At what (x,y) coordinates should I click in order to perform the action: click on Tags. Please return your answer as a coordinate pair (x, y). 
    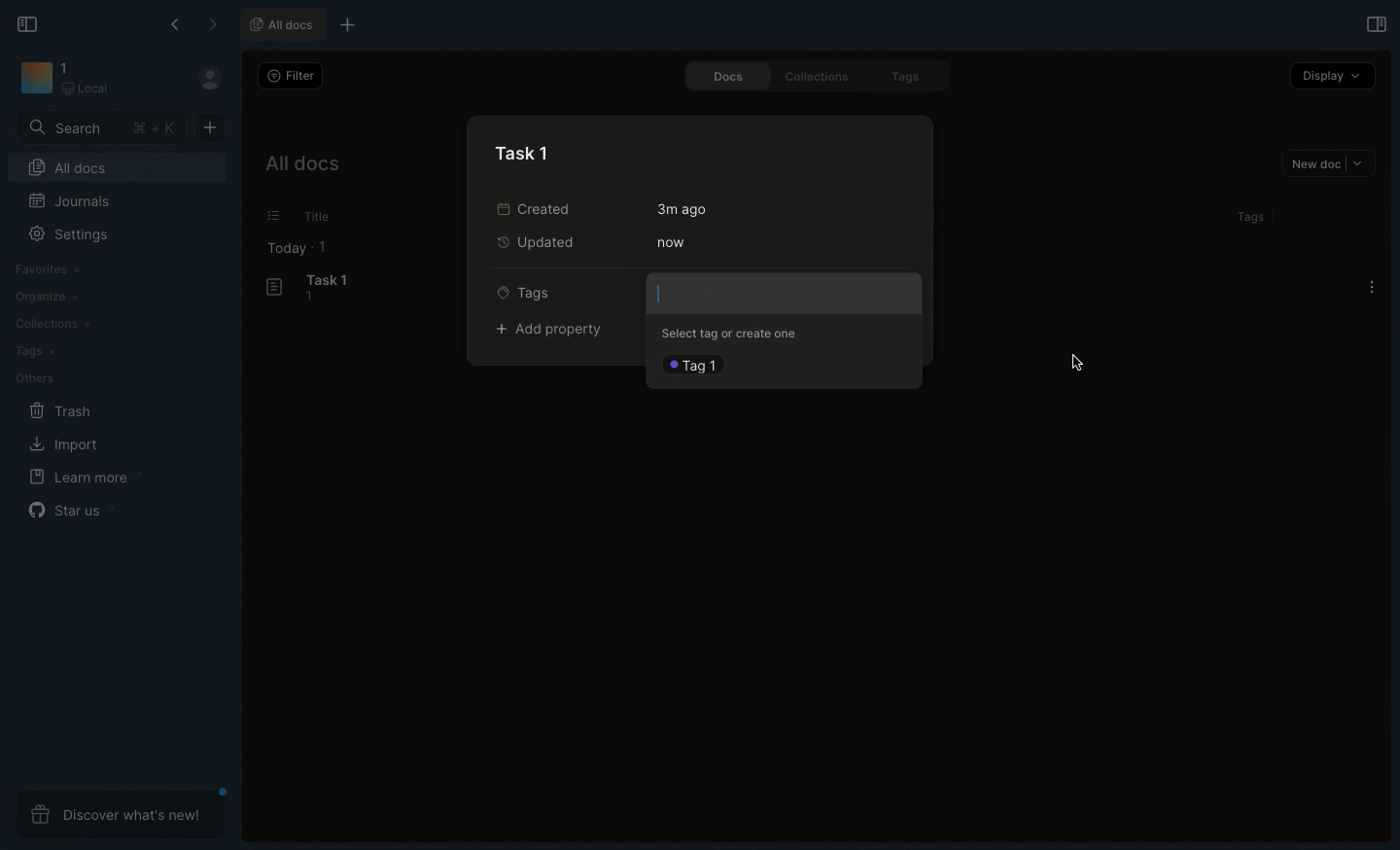
    Looking at the image, I should click on (1255, 216).